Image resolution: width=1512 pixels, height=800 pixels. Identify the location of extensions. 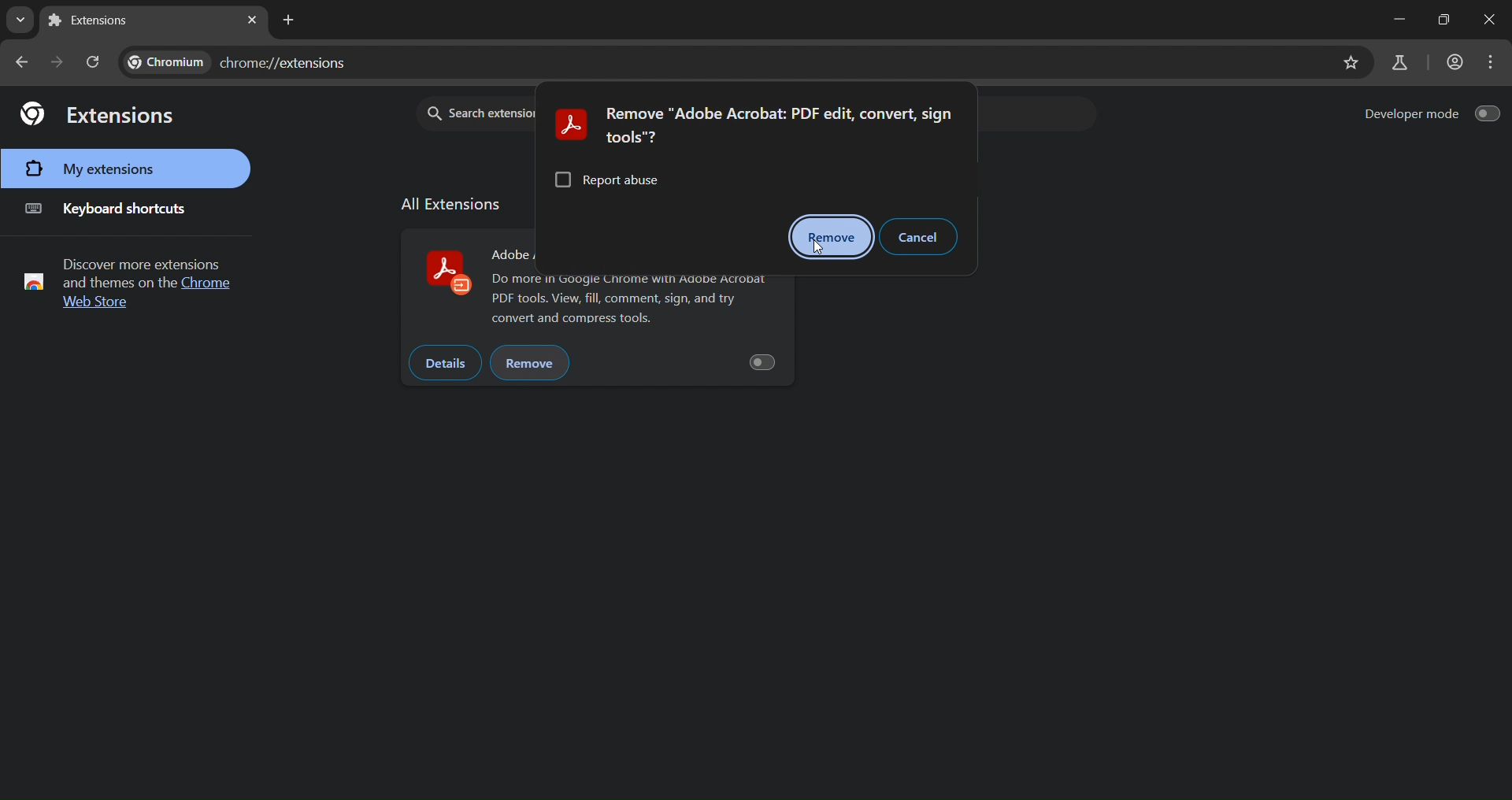
(101, 113).